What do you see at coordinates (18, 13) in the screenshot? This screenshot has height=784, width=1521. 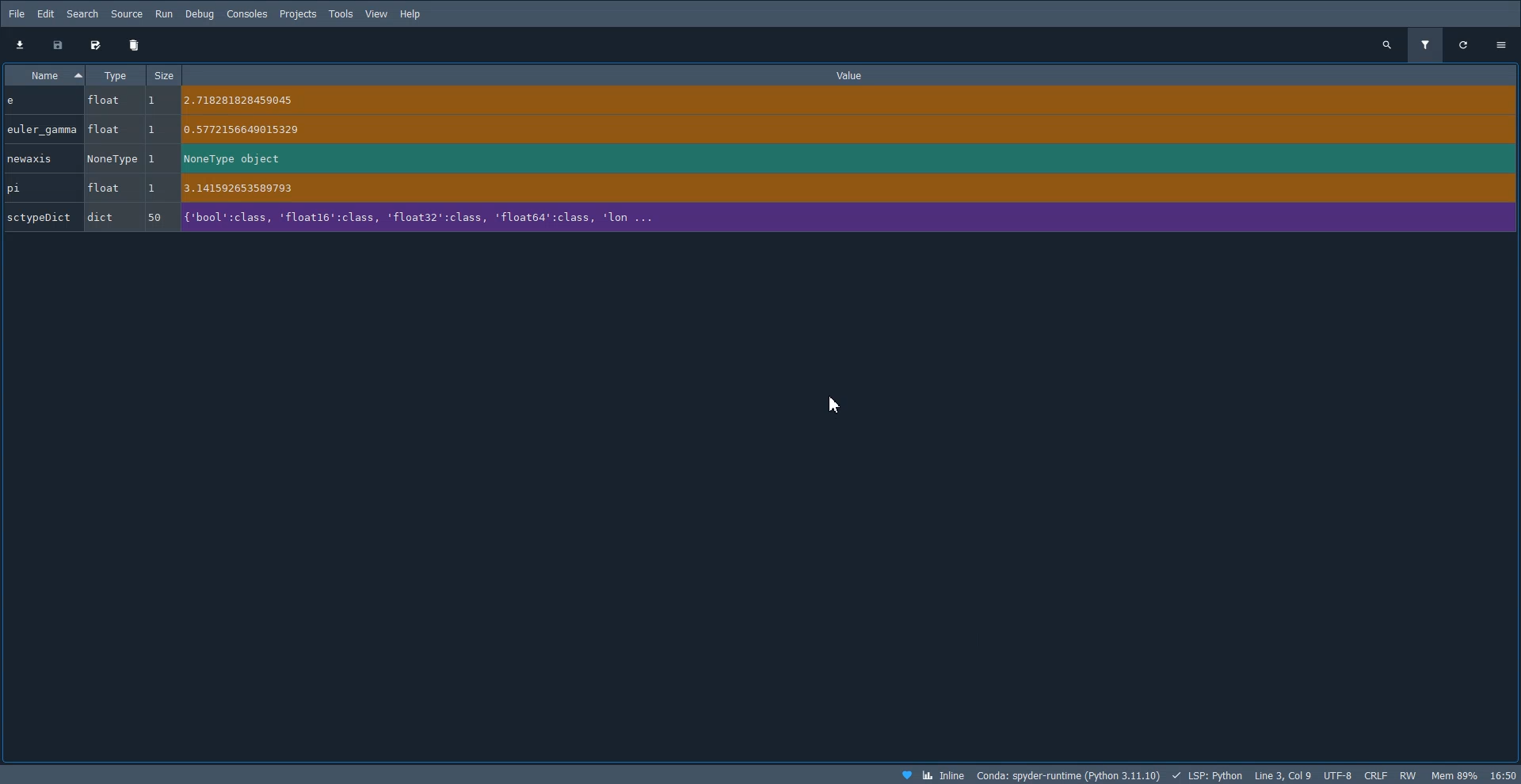 I see `File` at bounding box center [18, 13].